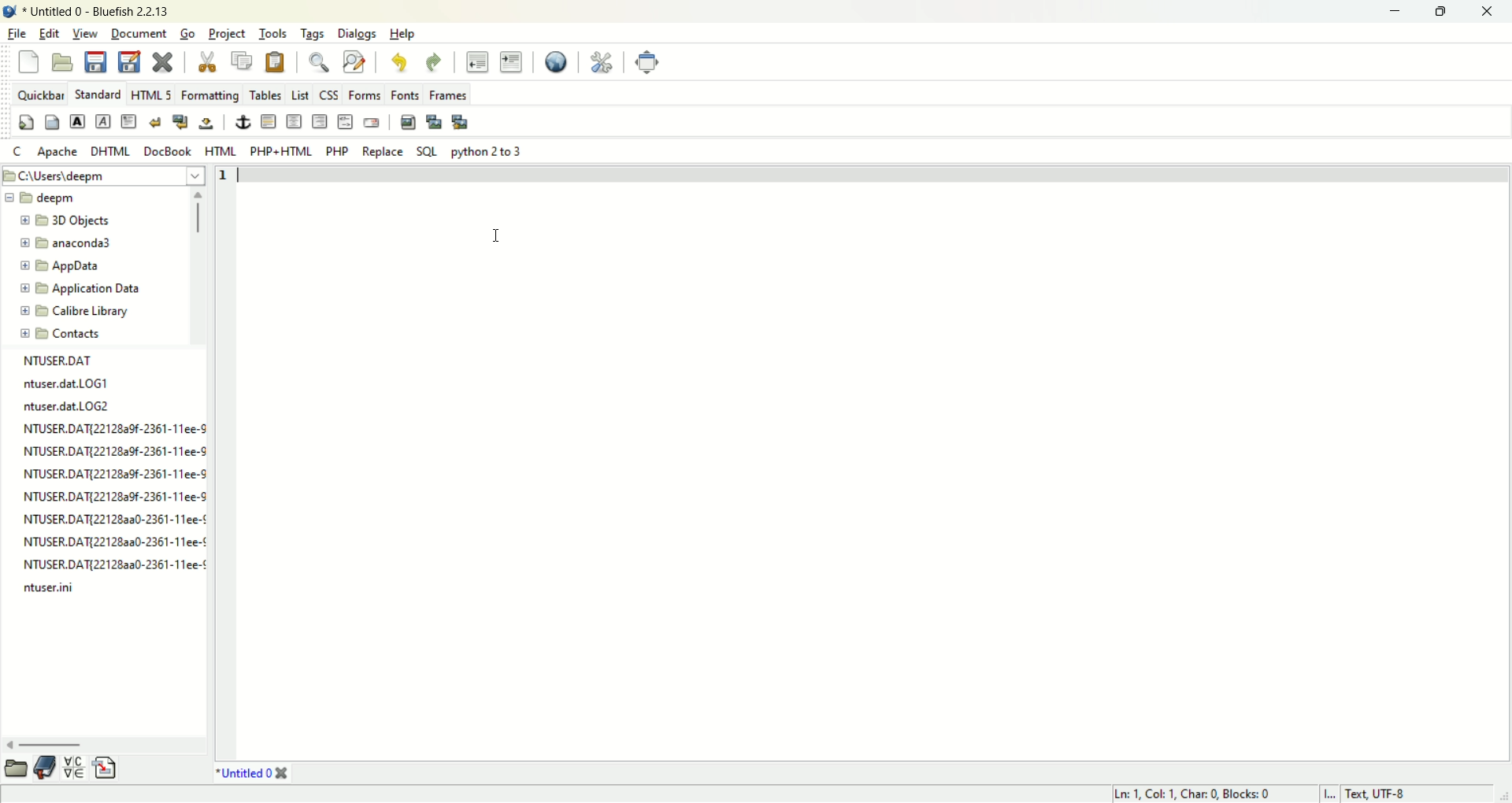 The height and width of the screenshot is (803, 1512). I want to click on PHP, so click(336, 149).